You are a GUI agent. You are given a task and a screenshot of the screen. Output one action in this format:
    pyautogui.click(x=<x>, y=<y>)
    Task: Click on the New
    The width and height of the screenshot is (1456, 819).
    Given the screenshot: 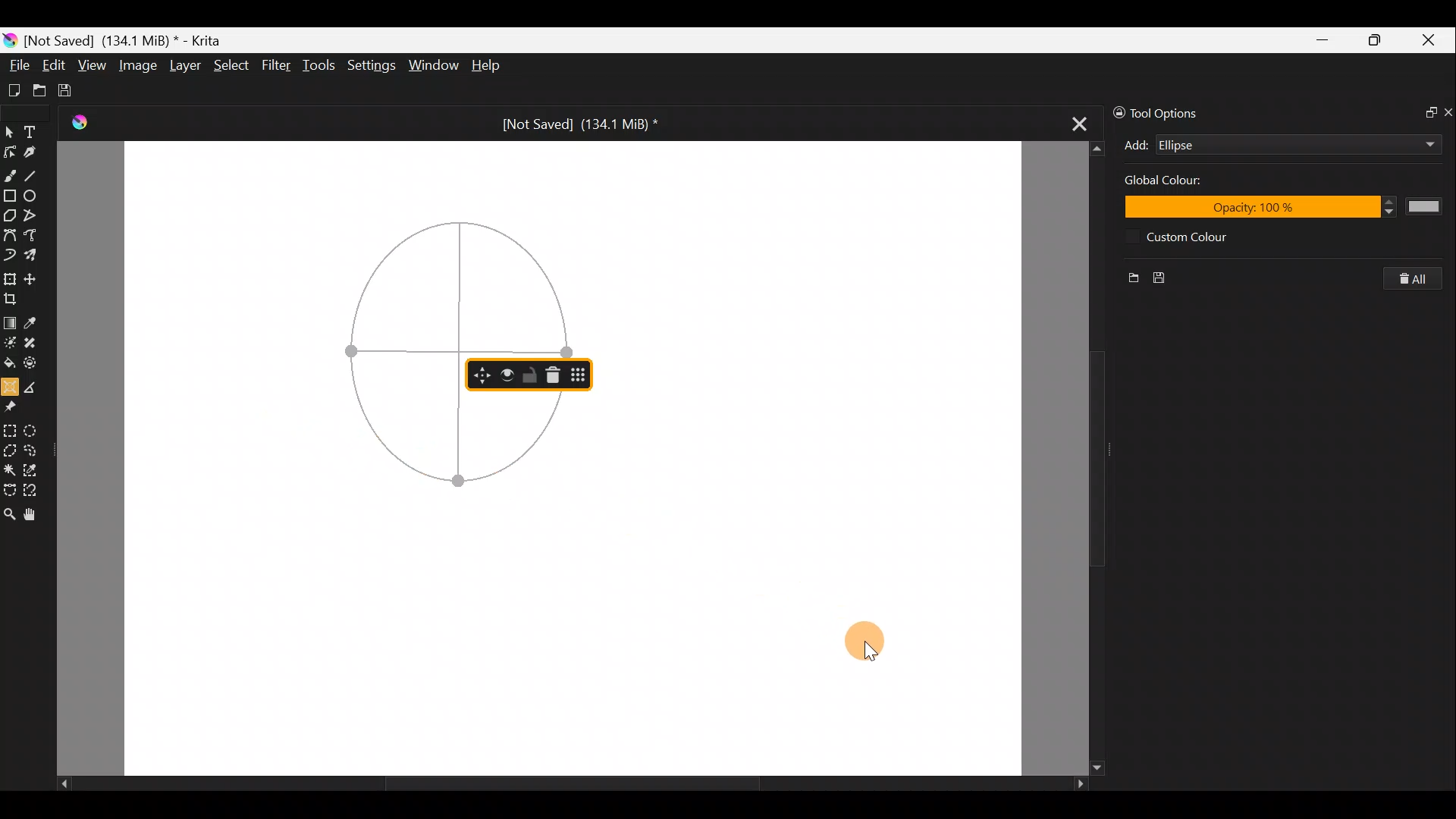 What is the action you would take?
    pyautogui.click(x=1127, y=275)
    